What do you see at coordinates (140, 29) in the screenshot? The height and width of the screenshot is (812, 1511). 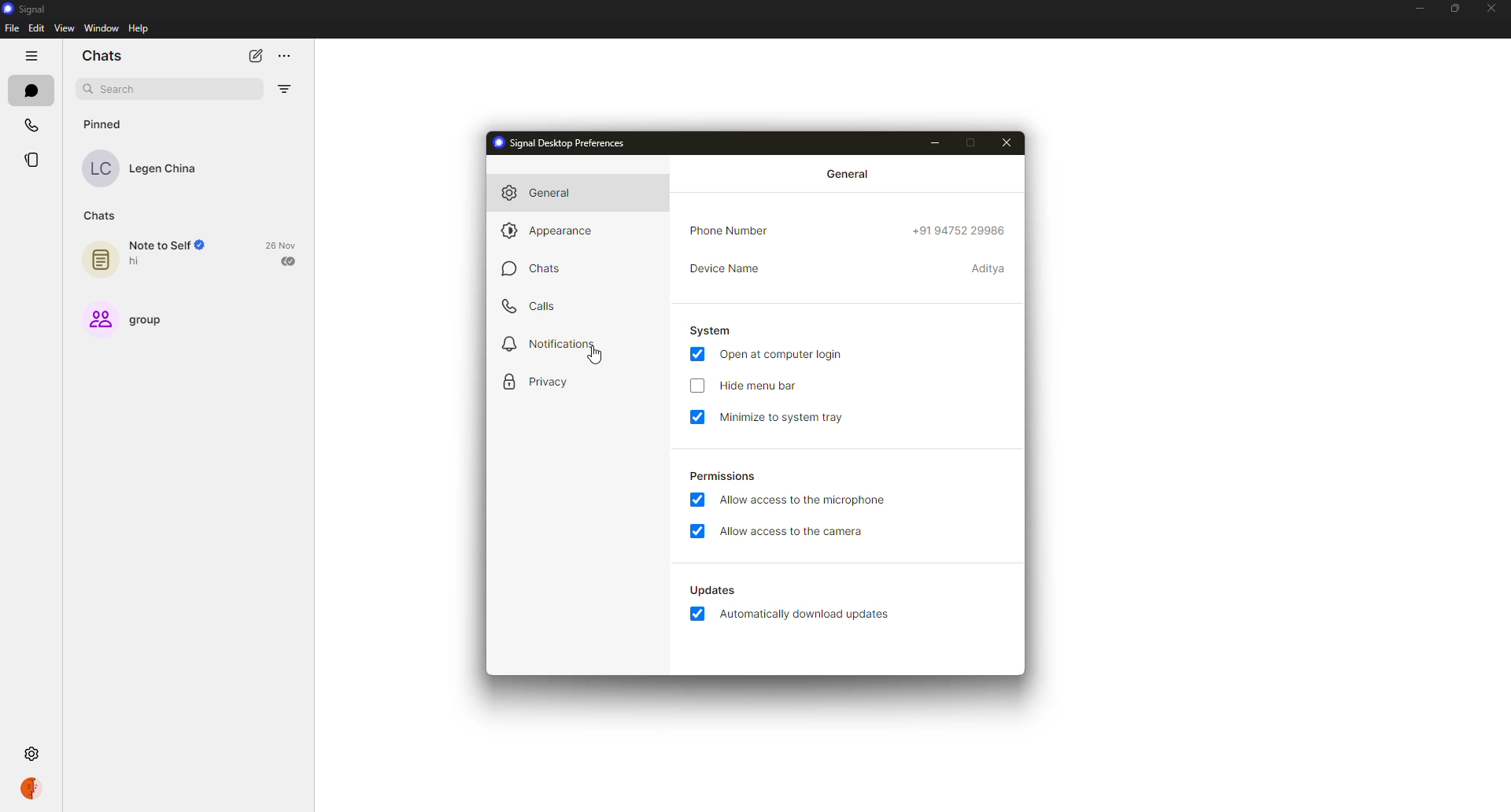 I see `help` at bounding box center [140, 29].